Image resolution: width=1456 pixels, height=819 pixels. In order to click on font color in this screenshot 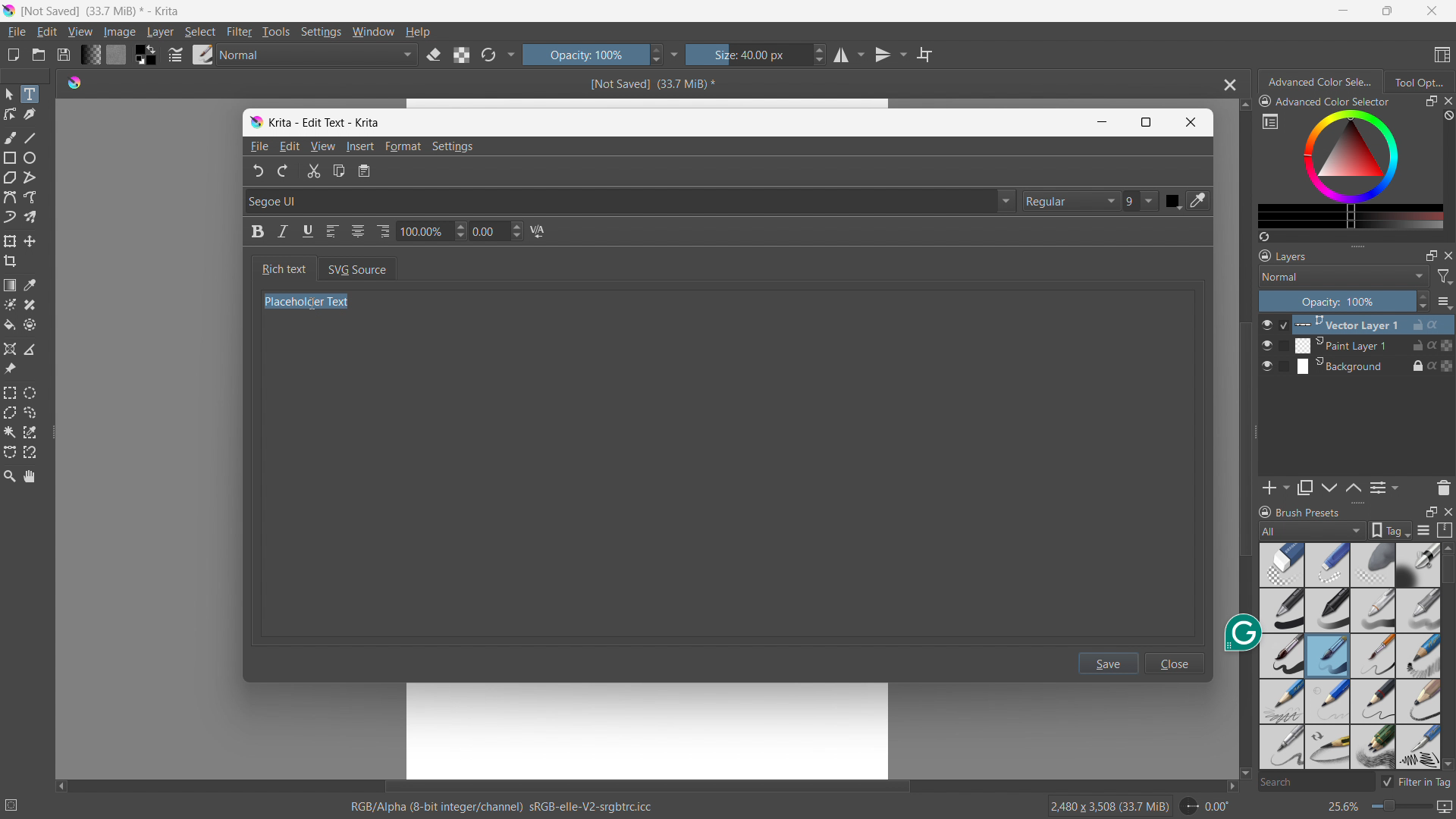, I will do `click(1173, 202)`.